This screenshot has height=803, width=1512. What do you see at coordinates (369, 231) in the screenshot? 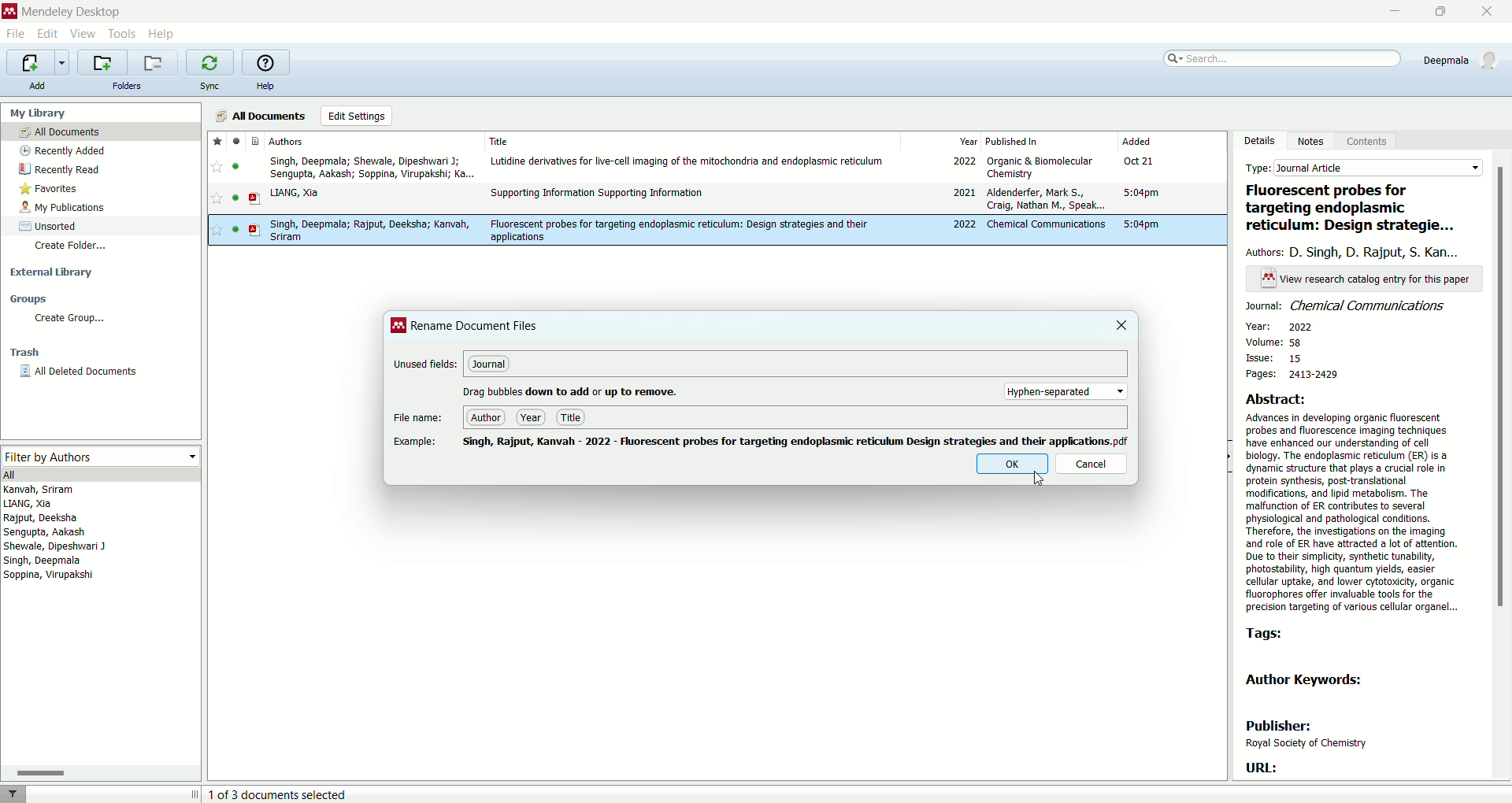
I see `Singh, Deepmala; Rajput, Deeksha; Kanvah,
Sriram` at bounding box center [369, 231].